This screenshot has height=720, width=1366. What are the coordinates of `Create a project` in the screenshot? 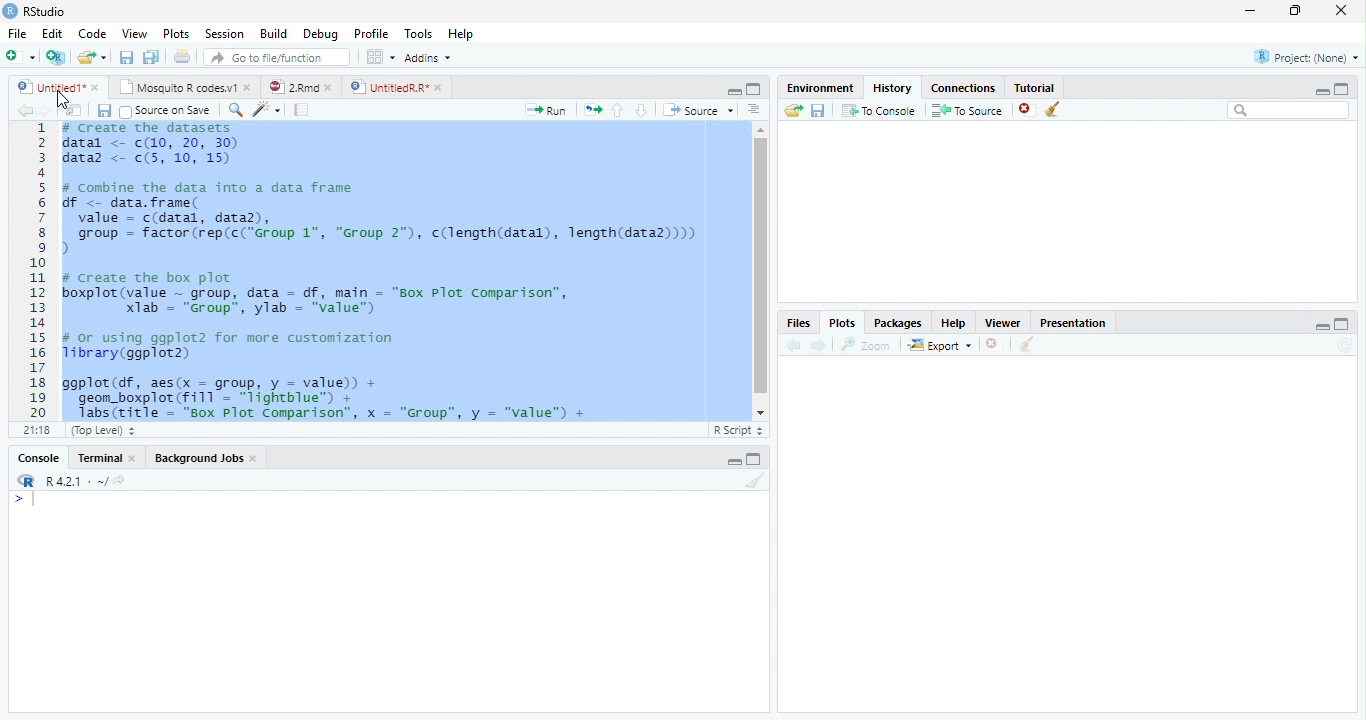 It's located at (57, 56).